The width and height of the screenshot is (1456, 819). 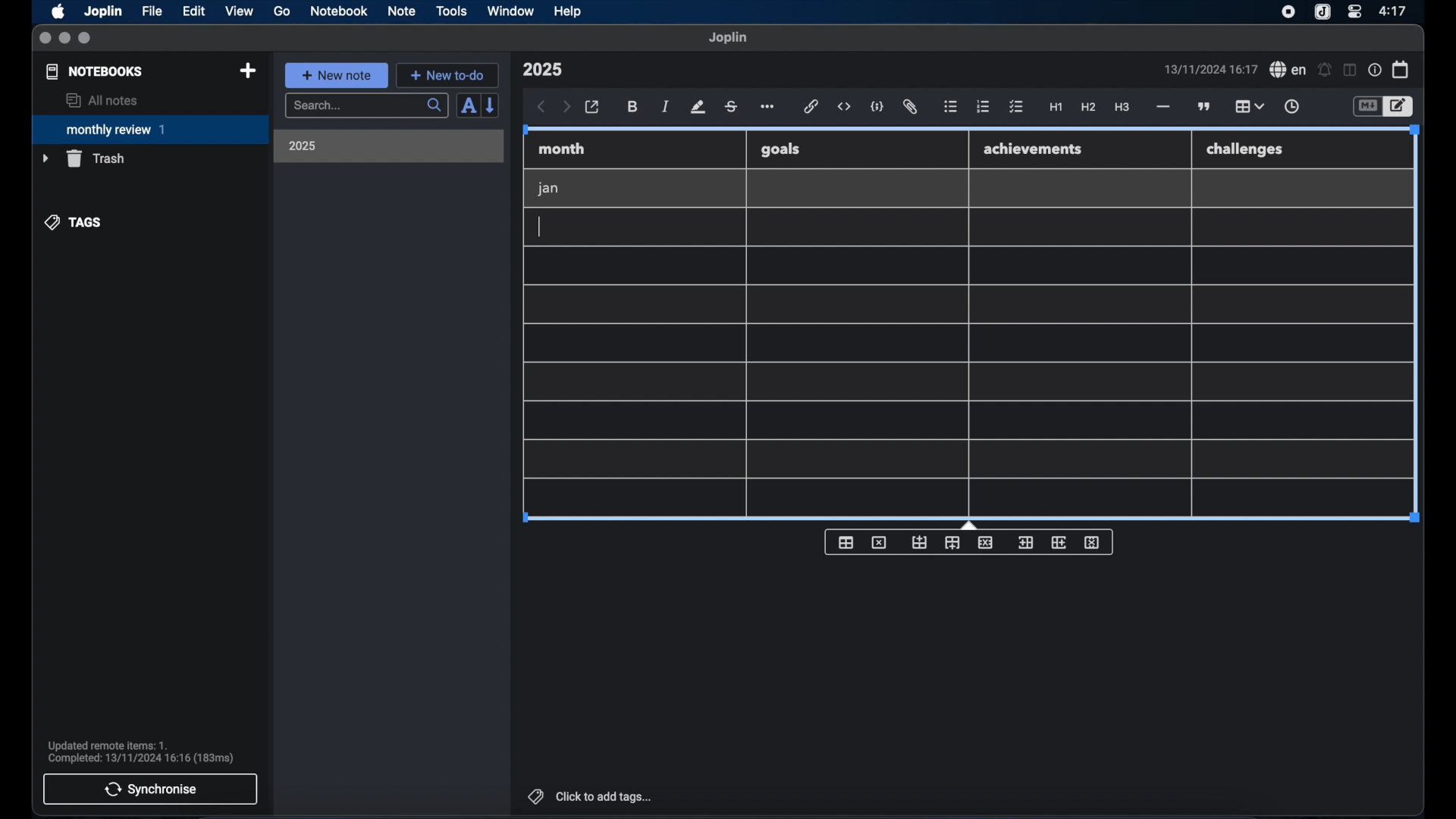 What do you see at coordinates (86, 39) in the screenshot?
I see `maximize` at bounding box center [86, 39].